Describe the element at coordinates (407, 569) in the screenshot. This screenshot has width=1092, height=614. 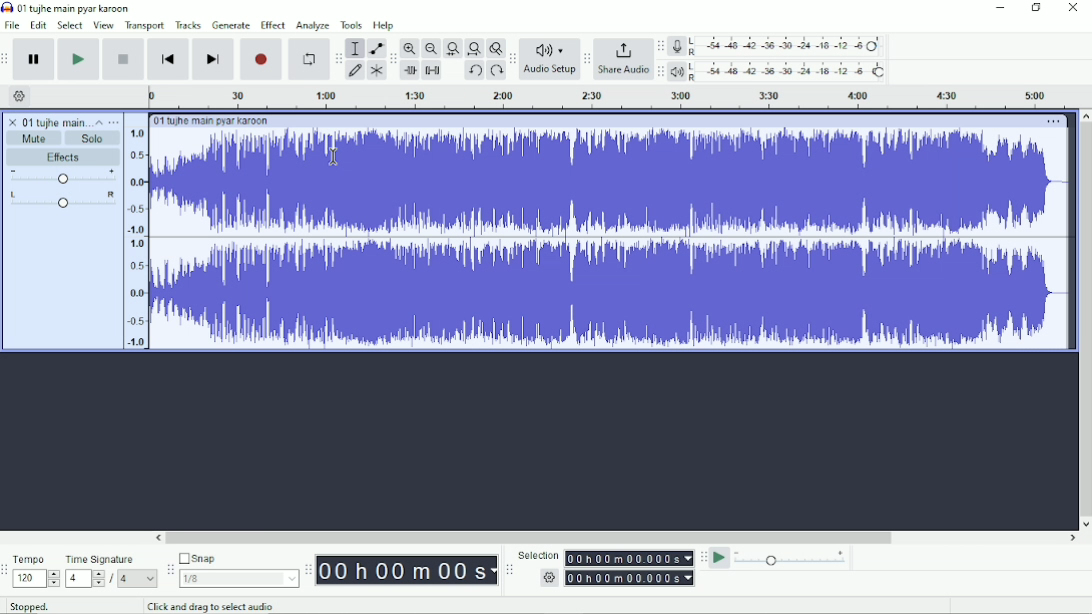
I see `Time` at that location.